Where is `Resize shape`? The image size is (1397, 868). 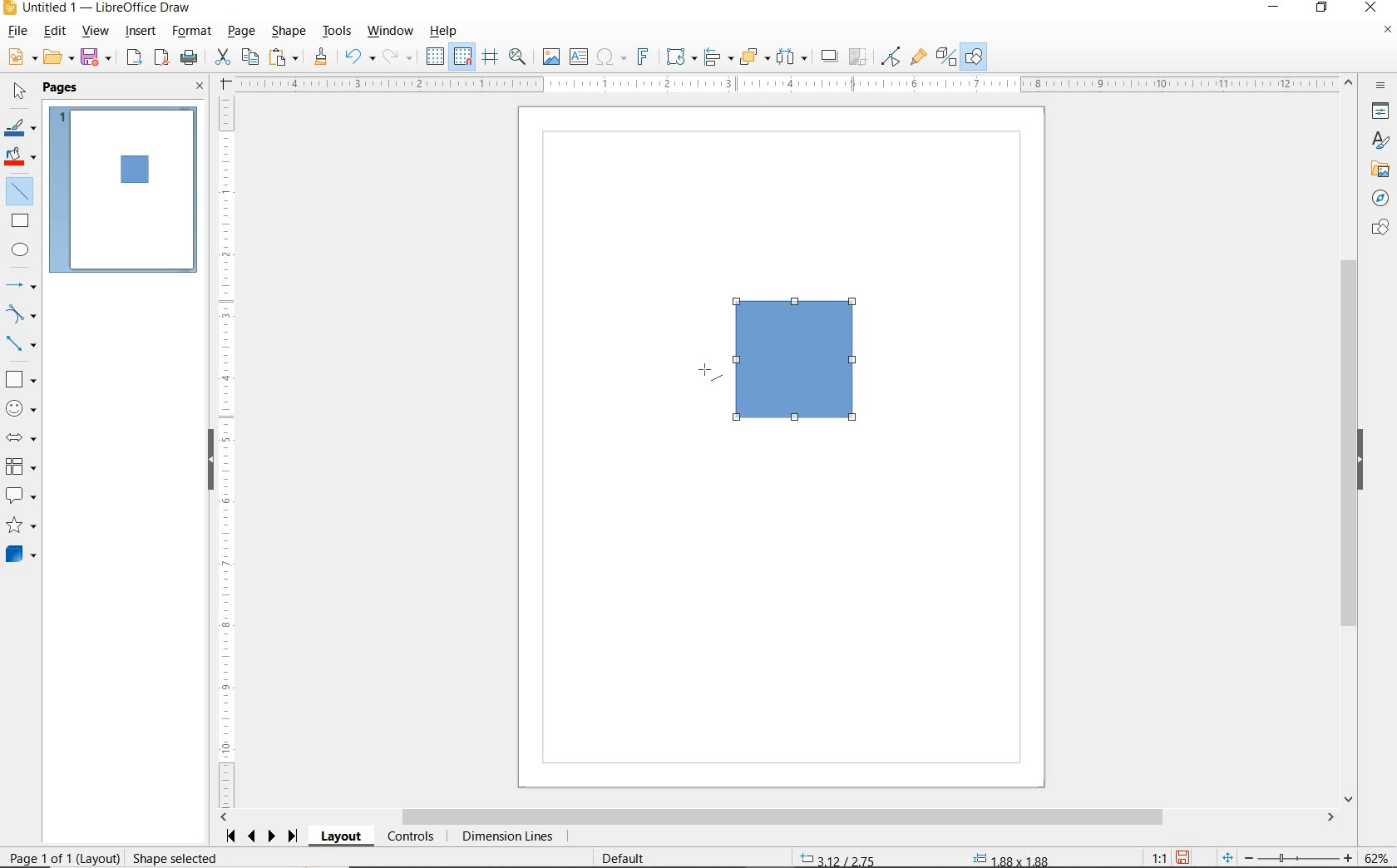
Resize shape is located at coordinates (180, 860).